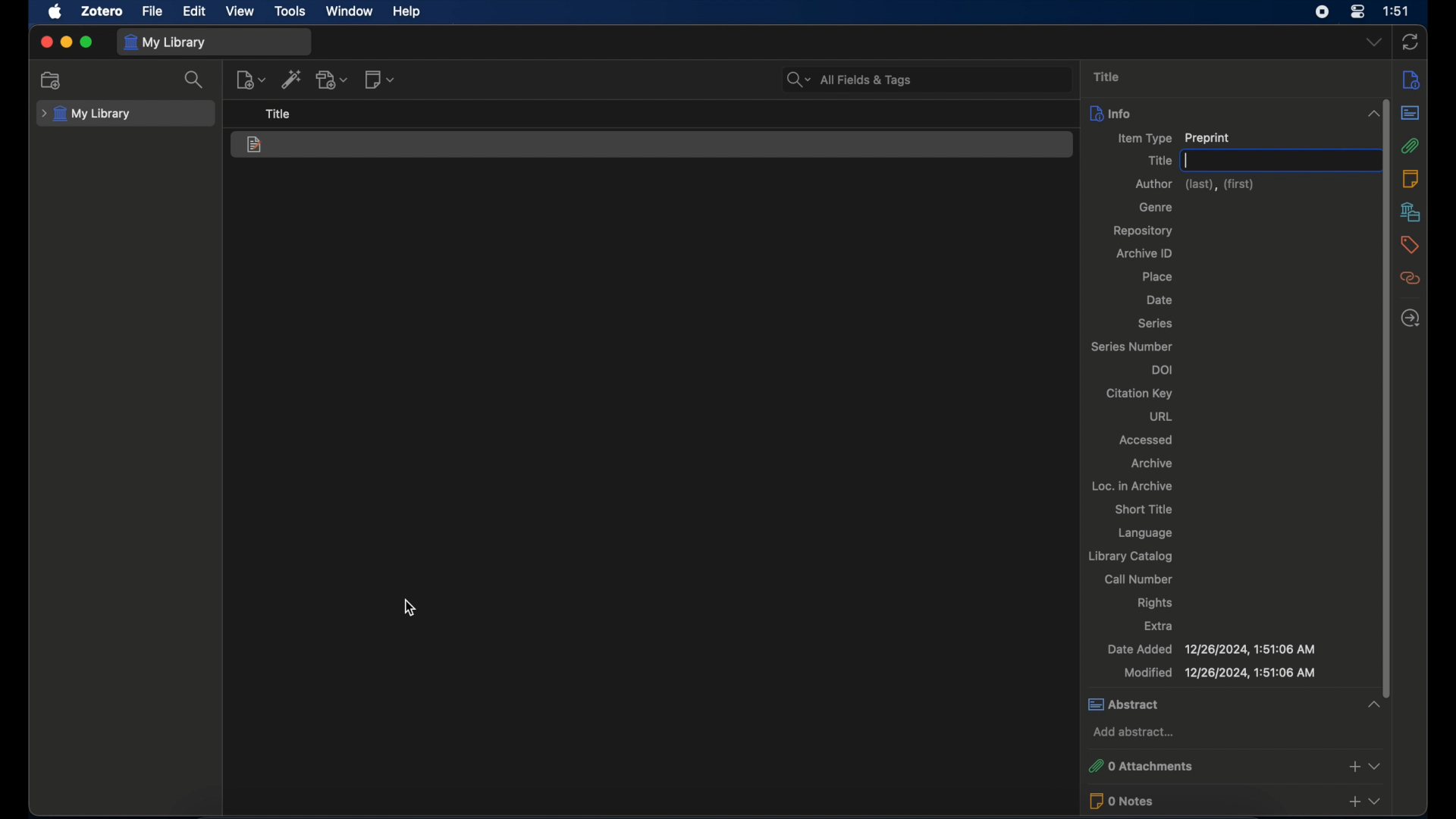 This screenshot has height=819, width=1456. Describe the element at coordinates (1156, 324) in the screenshot. I see `series` at that location.